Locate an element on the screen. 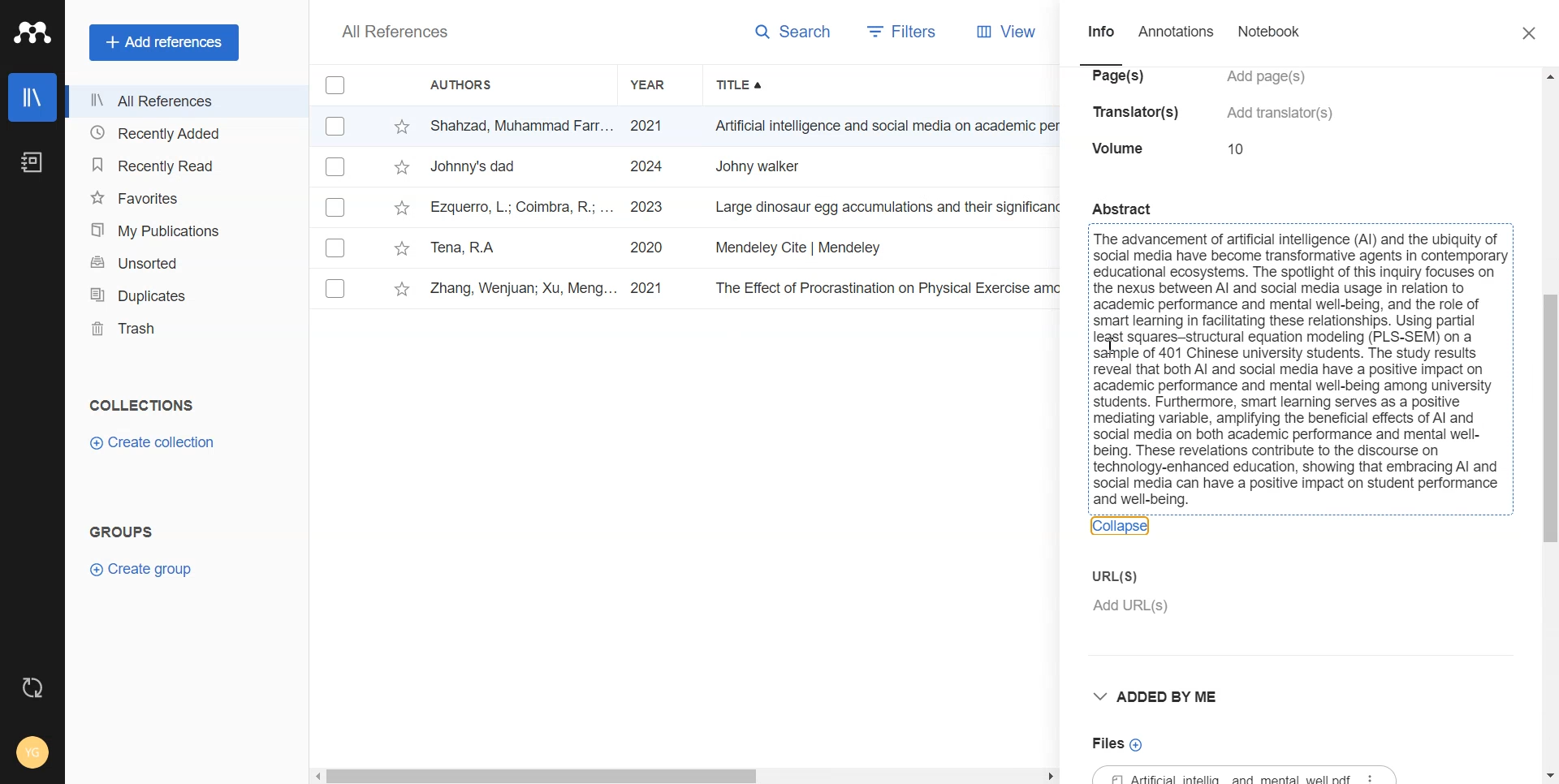 Image resolution: width=1559 pixels, height=784 pixels. Checkmarks is located at coordinates (335, 209).